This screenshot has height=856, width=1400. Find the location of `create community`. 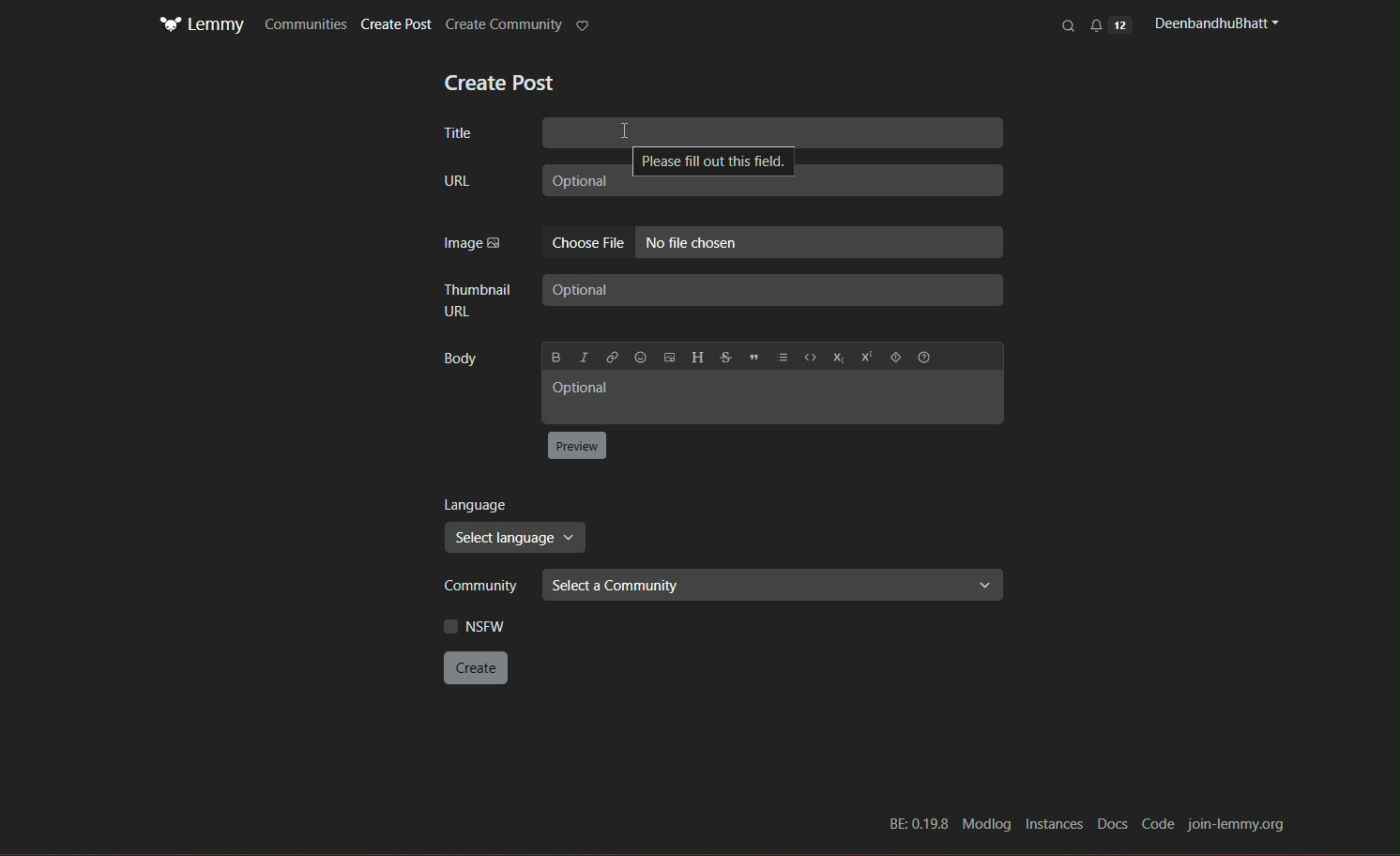

create community is located at coordinates (503, 25).